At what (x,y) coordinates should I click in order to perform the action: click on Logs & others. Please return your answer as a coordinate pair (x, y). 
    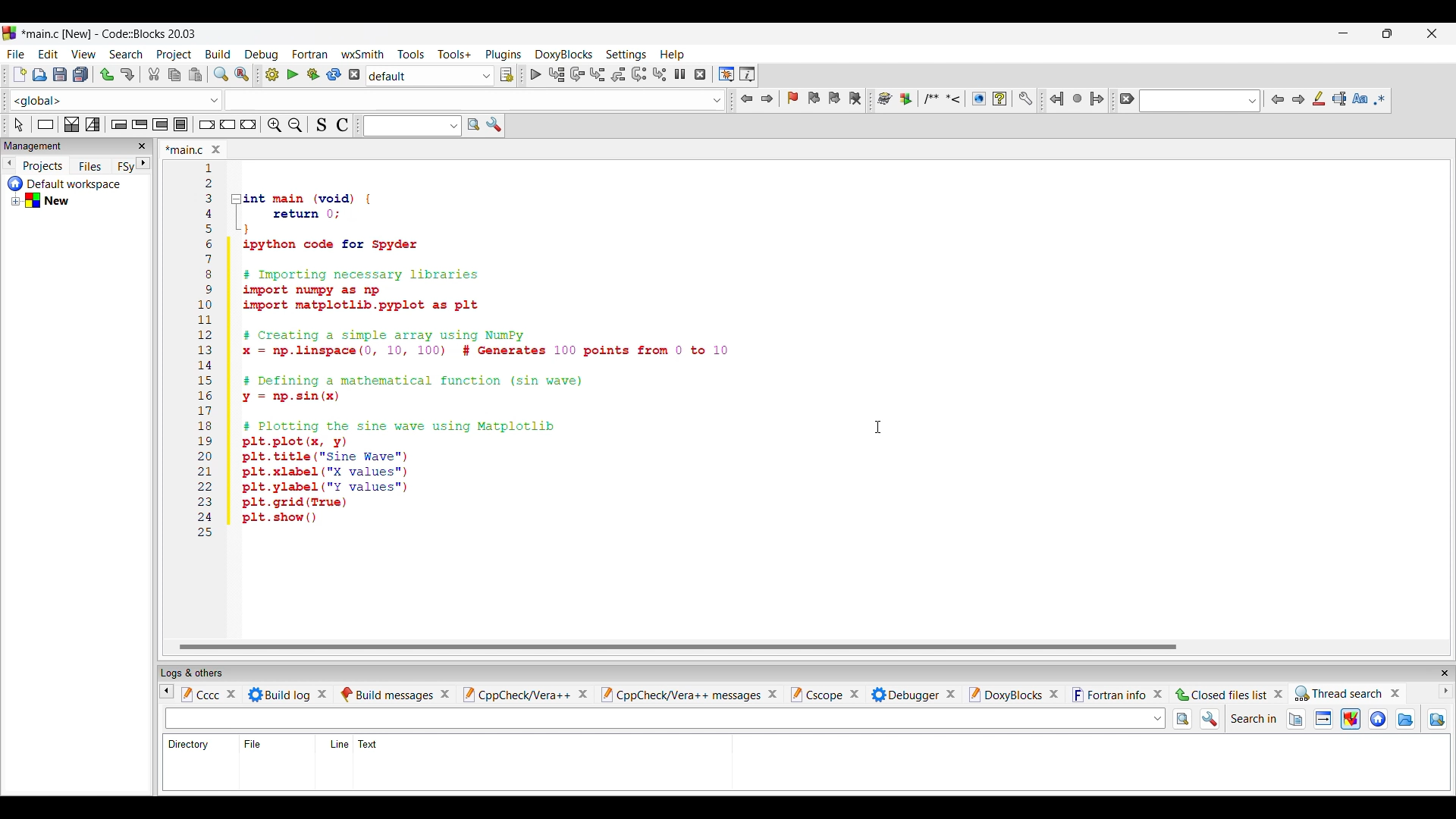
    Looking at the image, I should click on (200, 670).